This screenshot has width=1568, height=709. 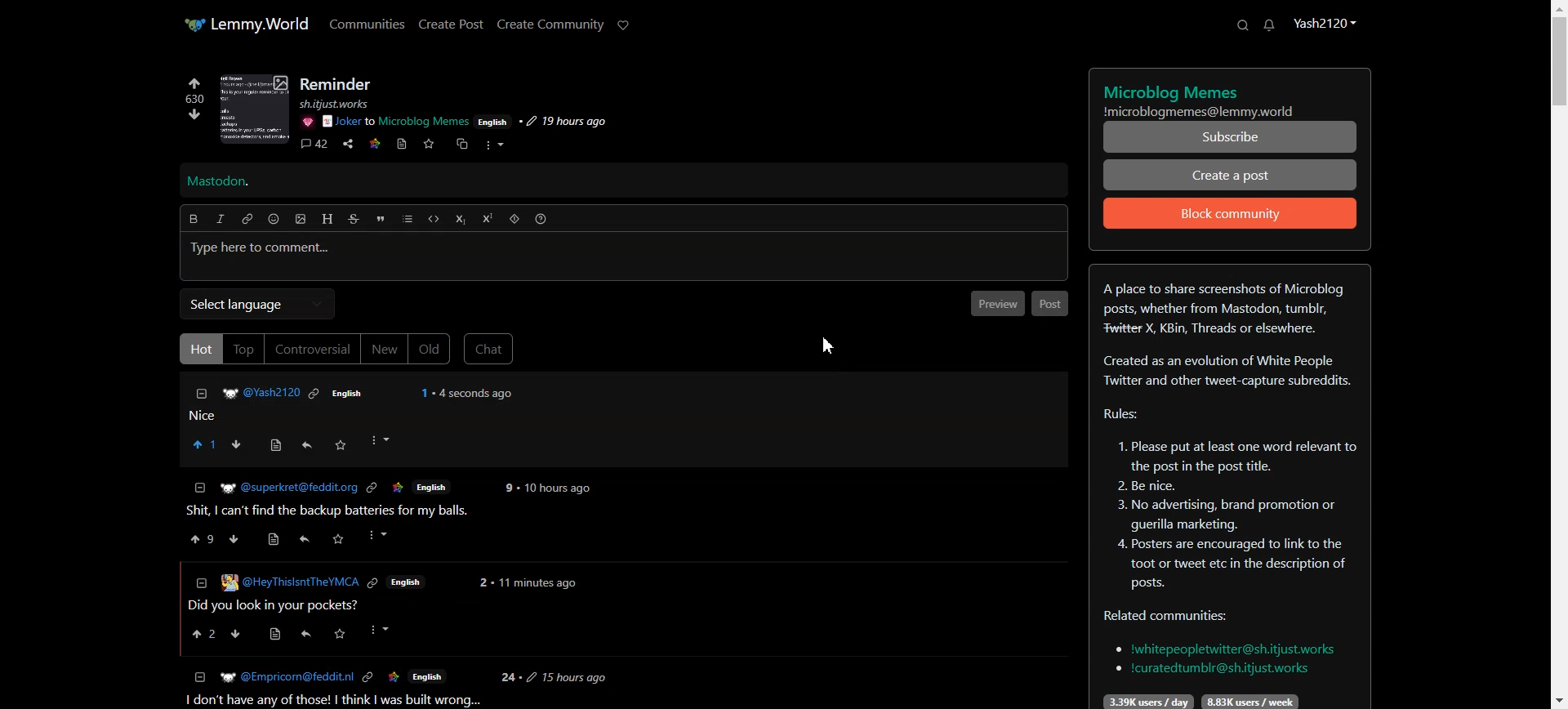 I want to click on Share, so click(x=348, y=145).